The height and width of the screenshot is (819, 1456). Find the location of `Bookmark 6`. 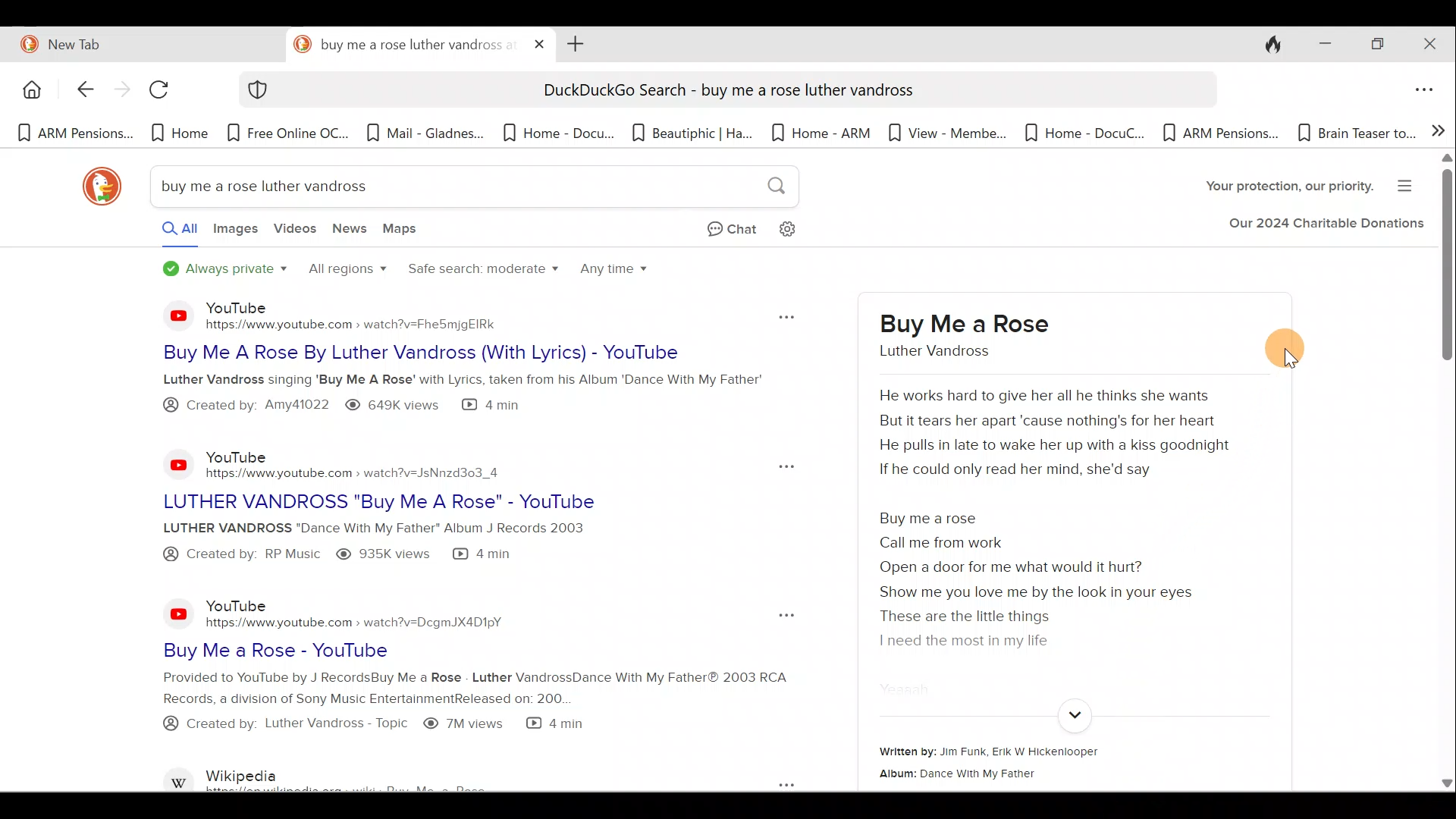

Bookmark 6 is located at coordinates (693, 132).